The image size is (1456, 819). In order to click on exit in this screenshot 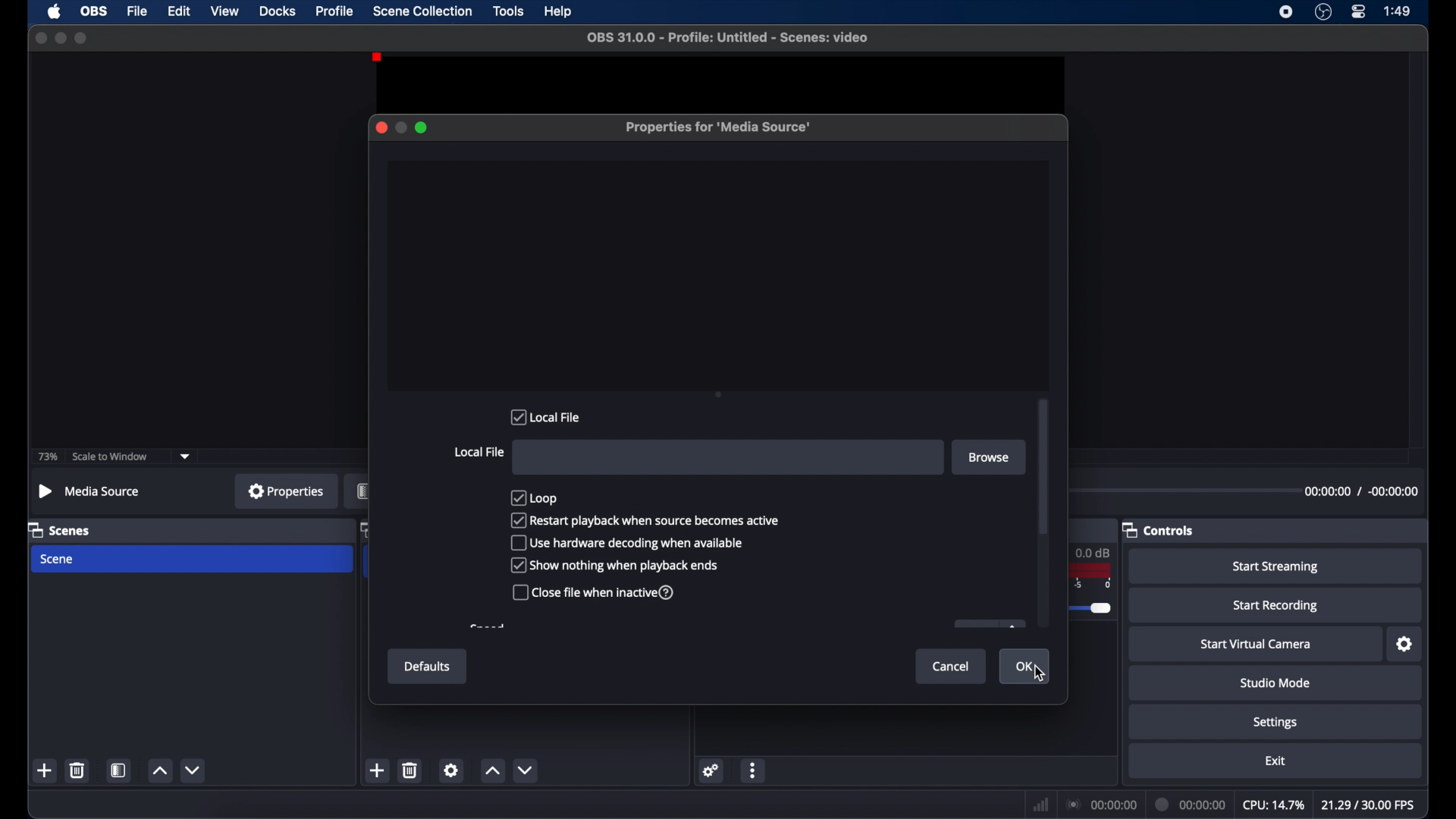, I will do `click(1276, 761)`.